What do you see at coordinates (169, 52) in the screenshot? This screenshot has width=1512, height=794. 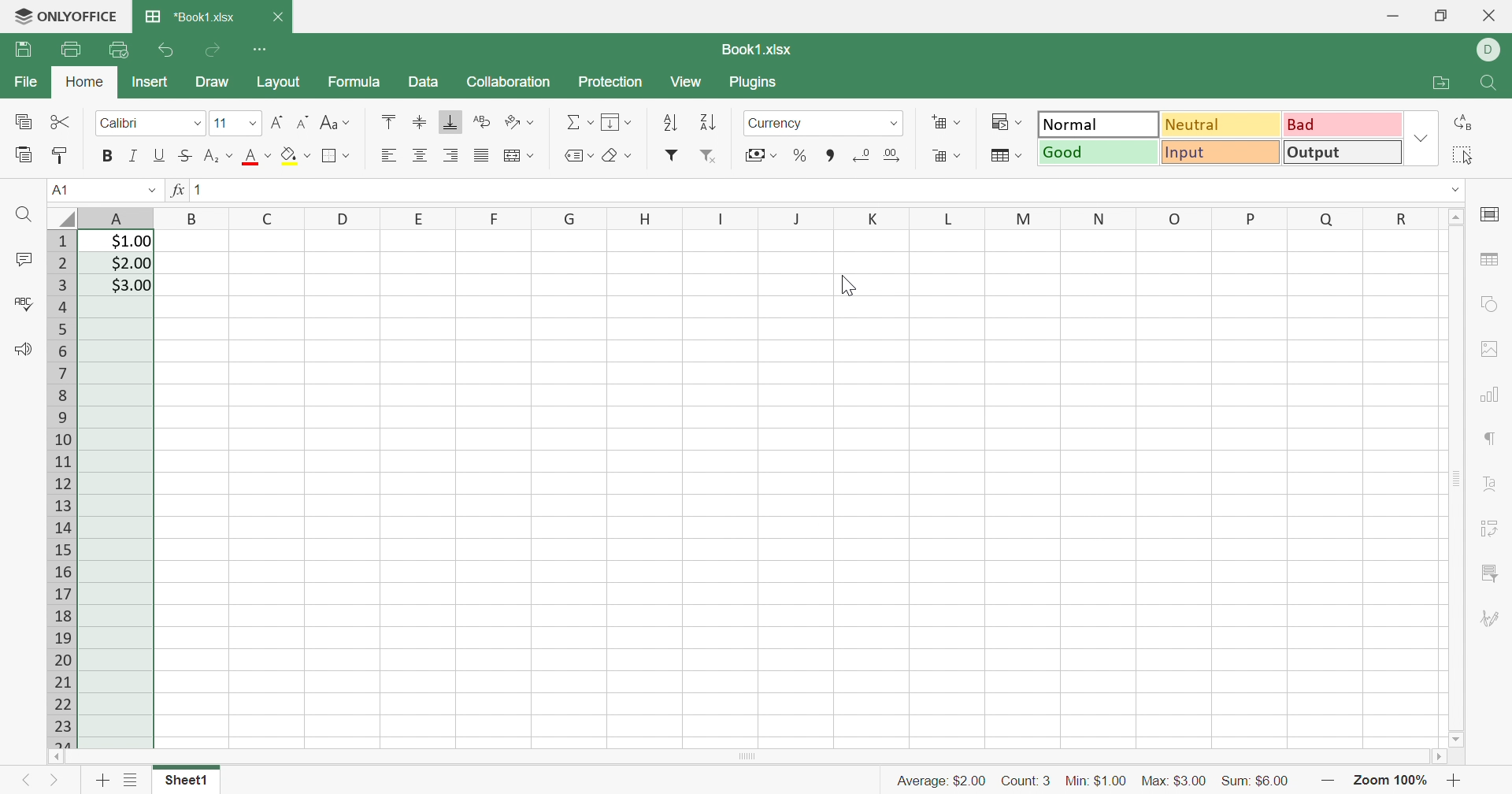 I see `Undo` at bounding box center [169, 52].